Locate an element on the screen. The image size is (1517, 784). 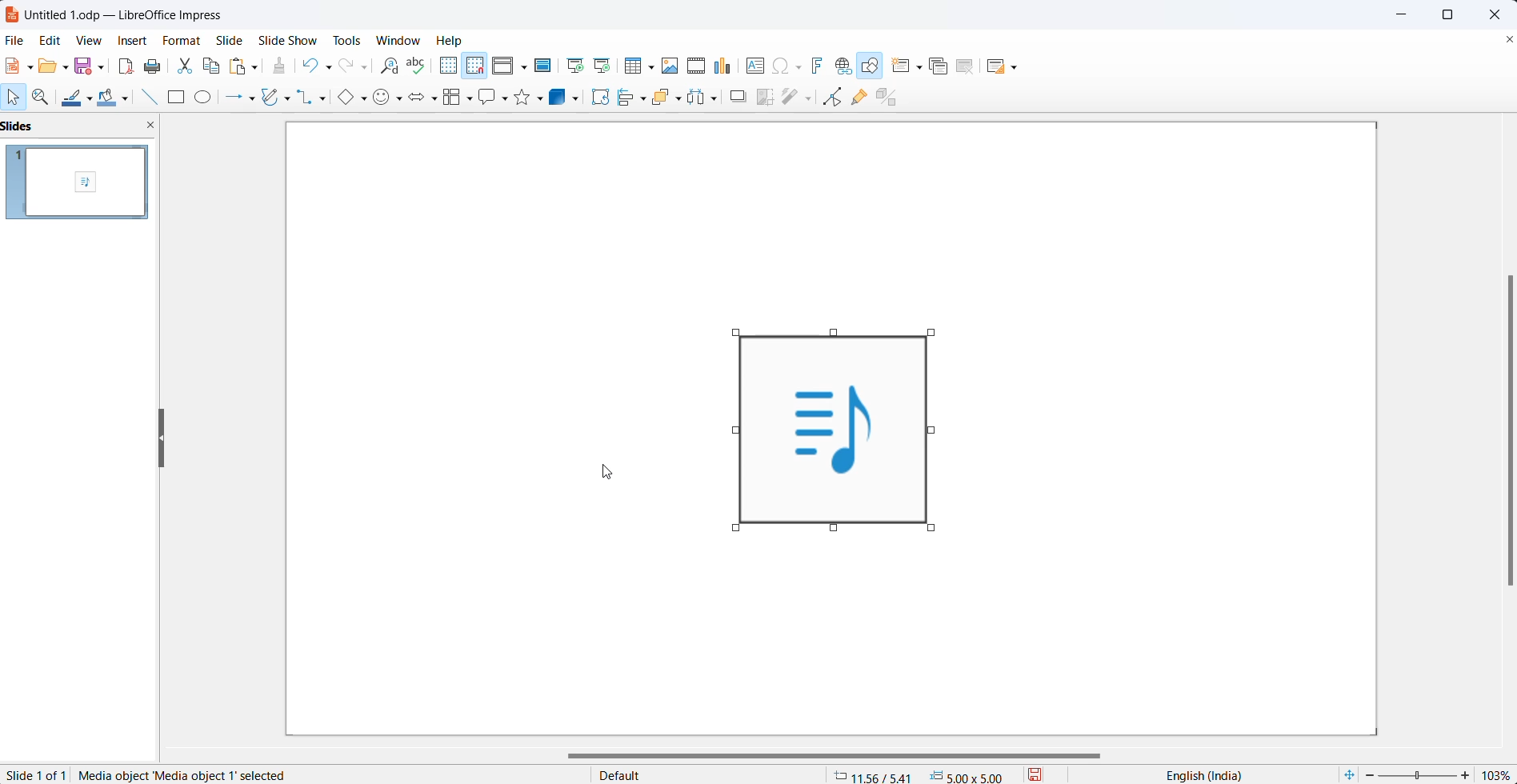
redo is located at coordinates (350, 68).